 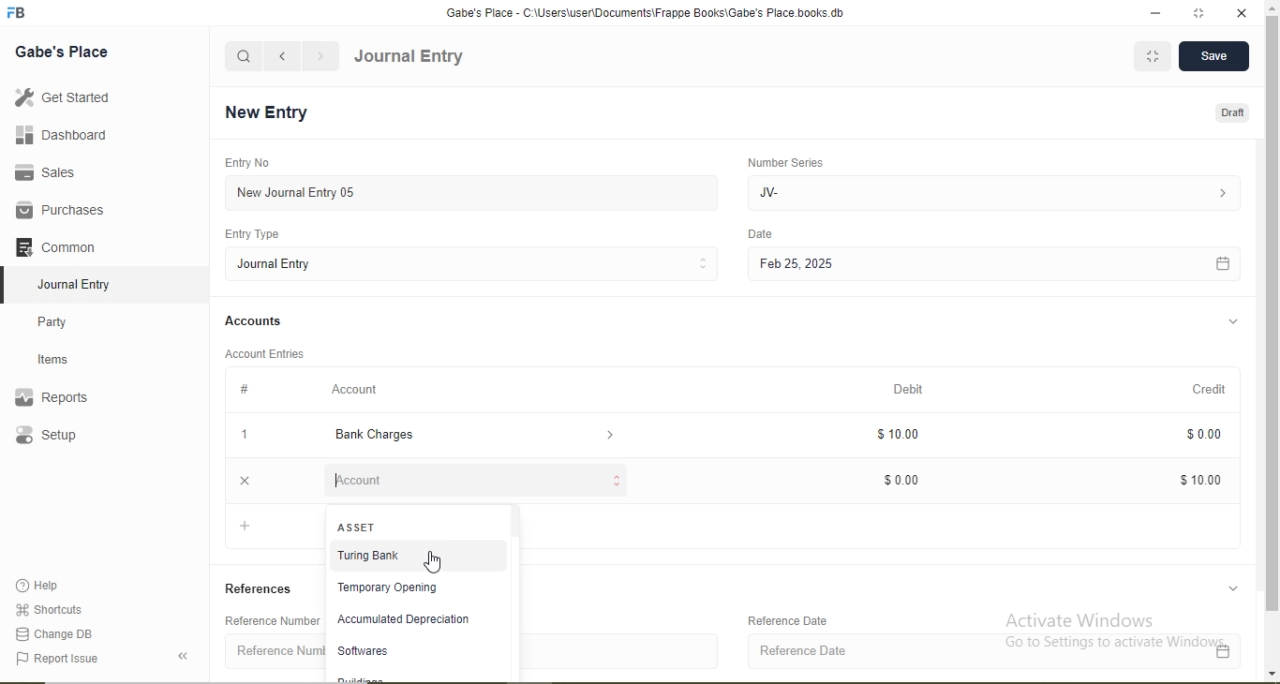 What do you see at coordinates (55, 136) in the screenshot?
I see `Dashboard` at bounding box center [55, 136].